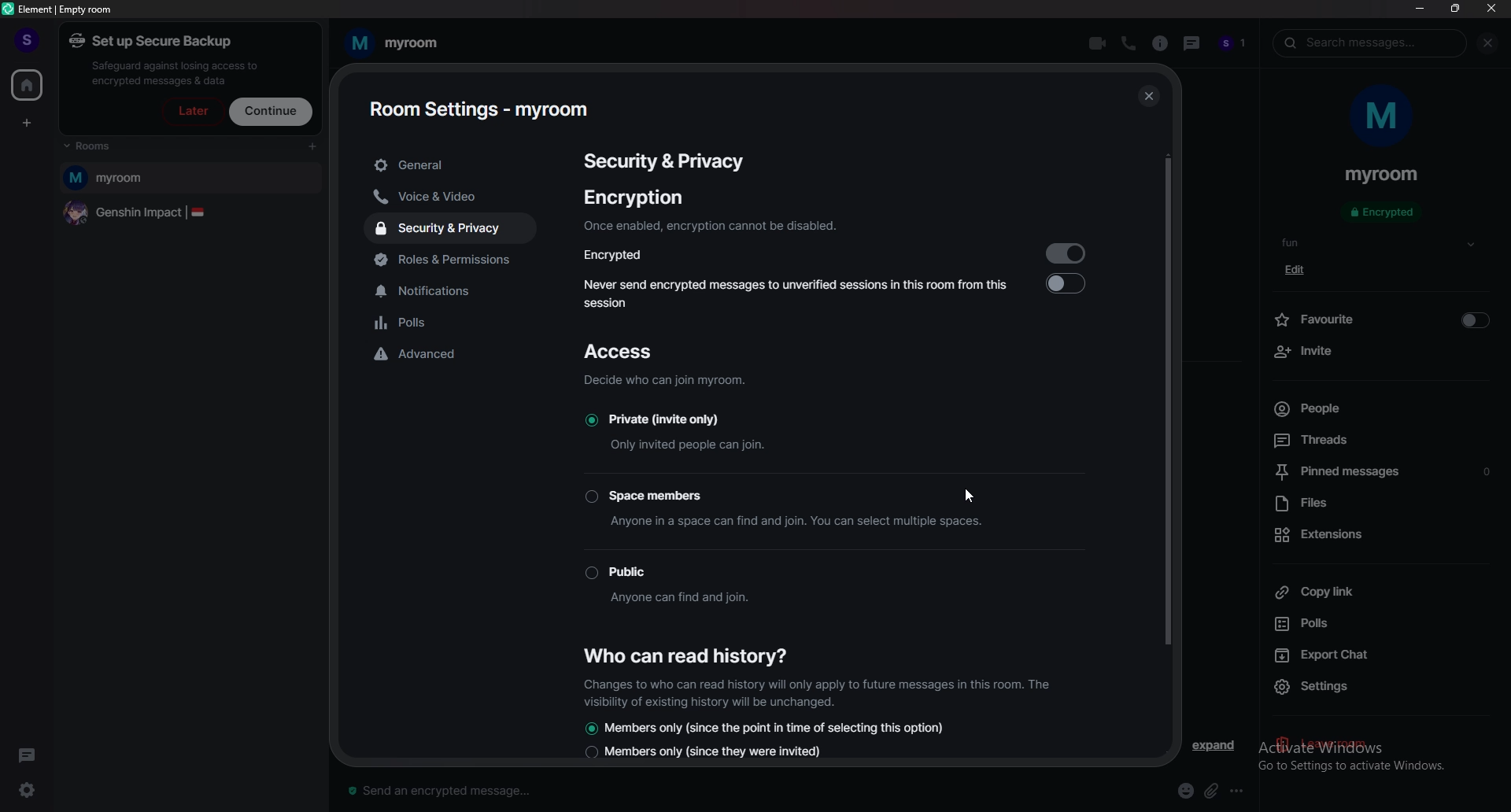 The height and width of the screenshot is (812, 1511). Describe the element at coordinates (1380, 440) in the screenshot. I see `threads` at that location.